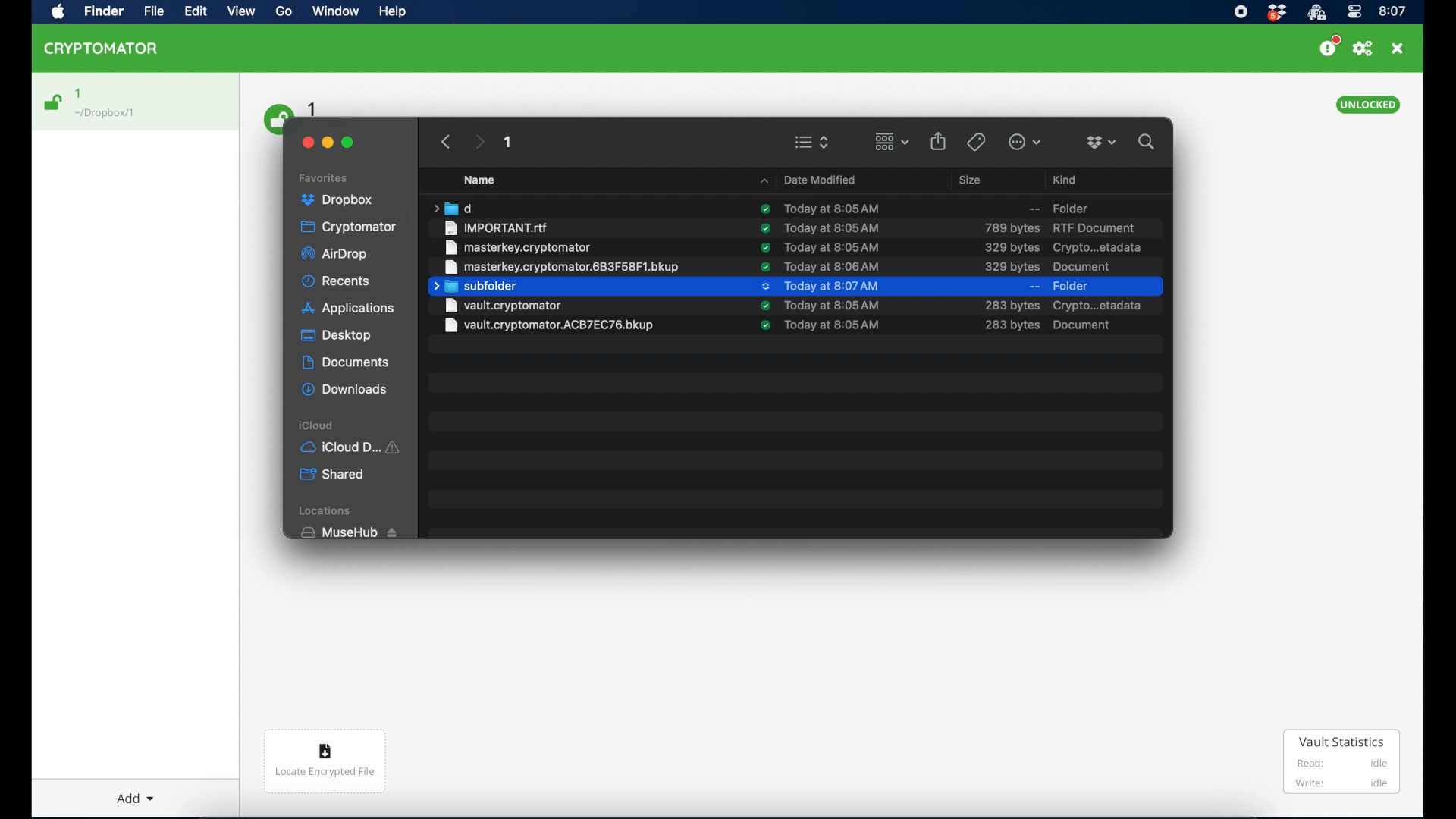  Describe the element at coordinates (1329, 46) in the screenshot. I see `support us` at that location.